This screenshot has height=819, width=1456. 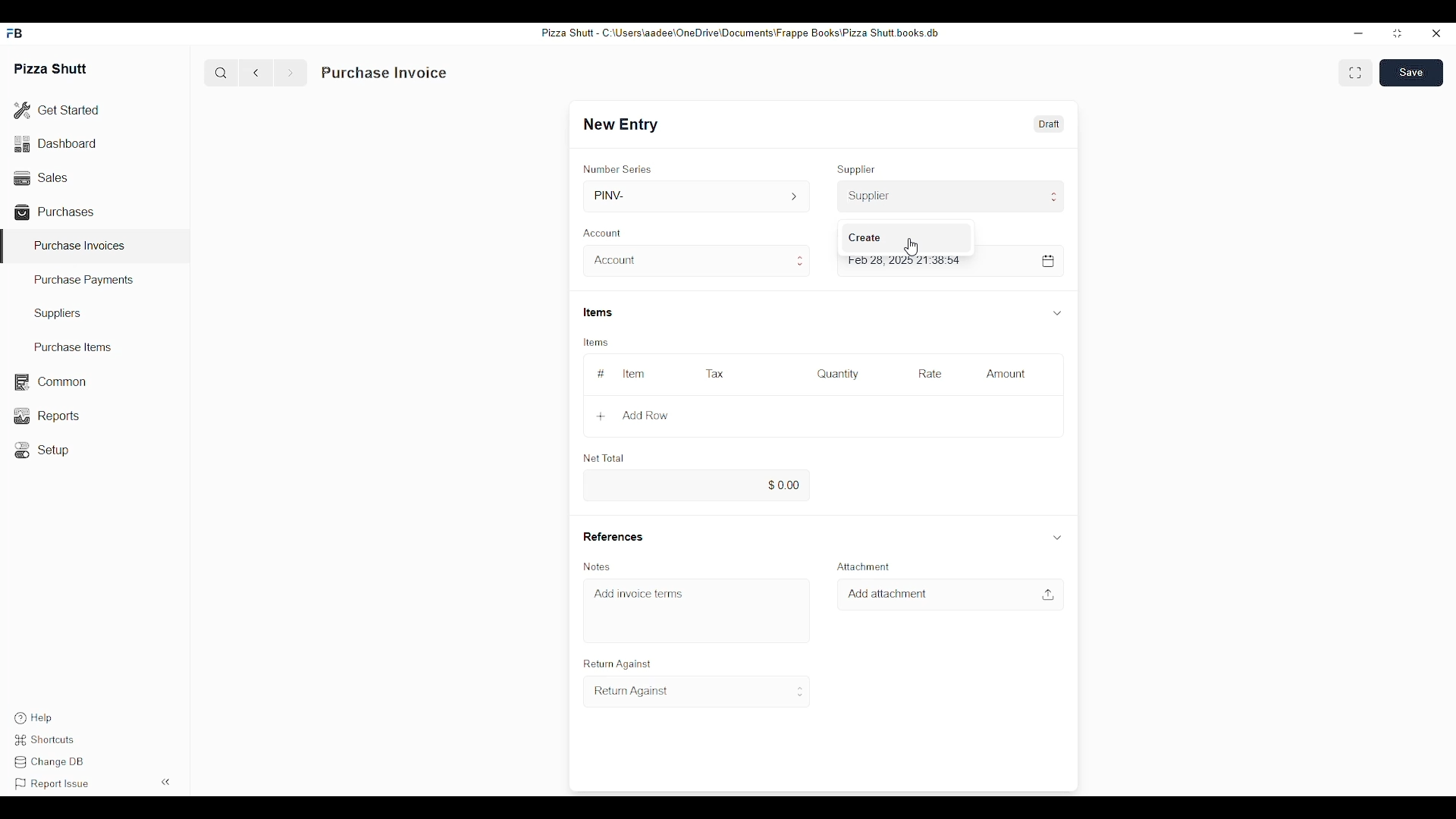 I want to click on Rate, so click(x=929, y=372).